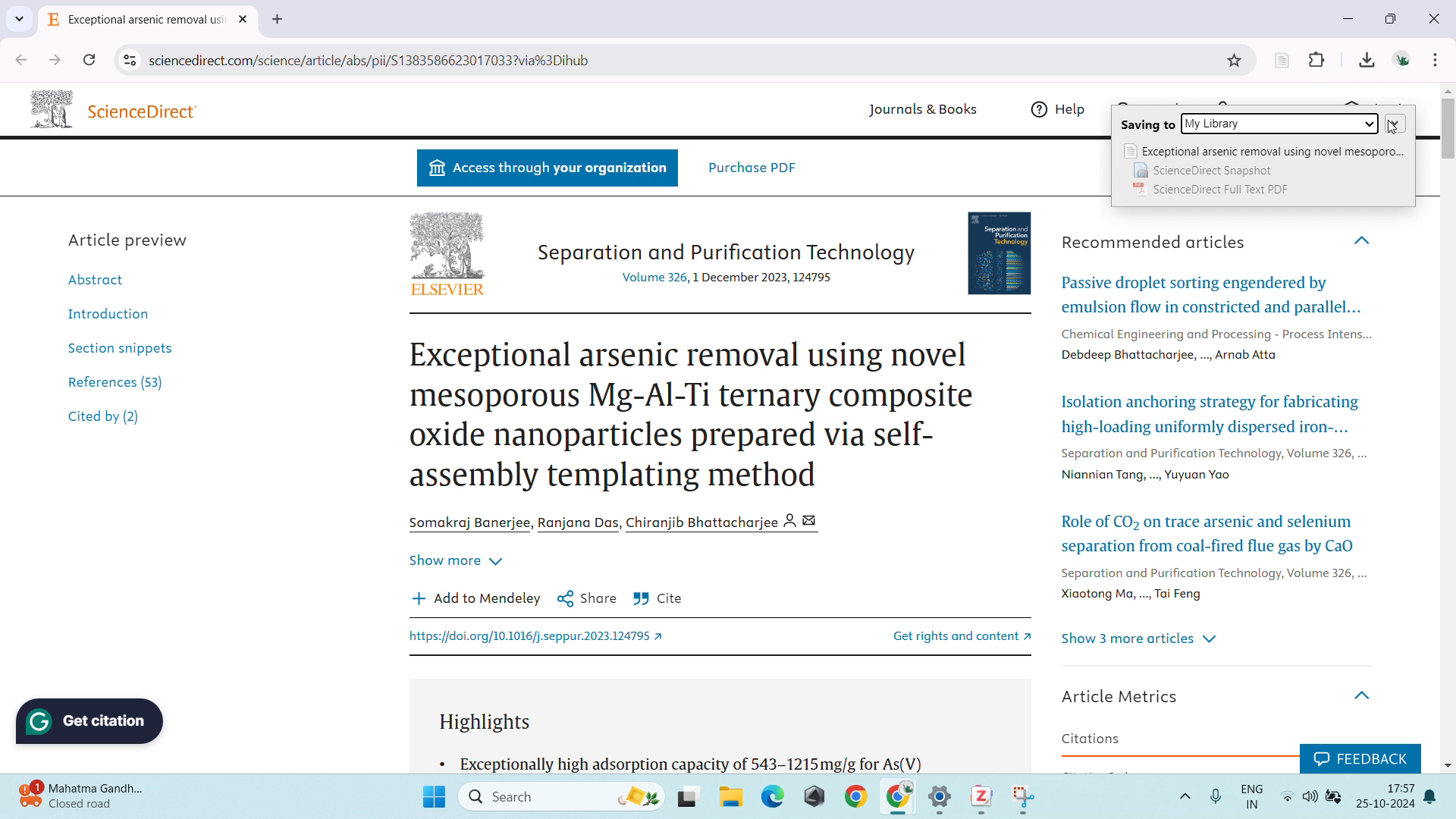  Describe the element at coordinates (104, 312) in the screenshot. I see `Introduction` at that location.